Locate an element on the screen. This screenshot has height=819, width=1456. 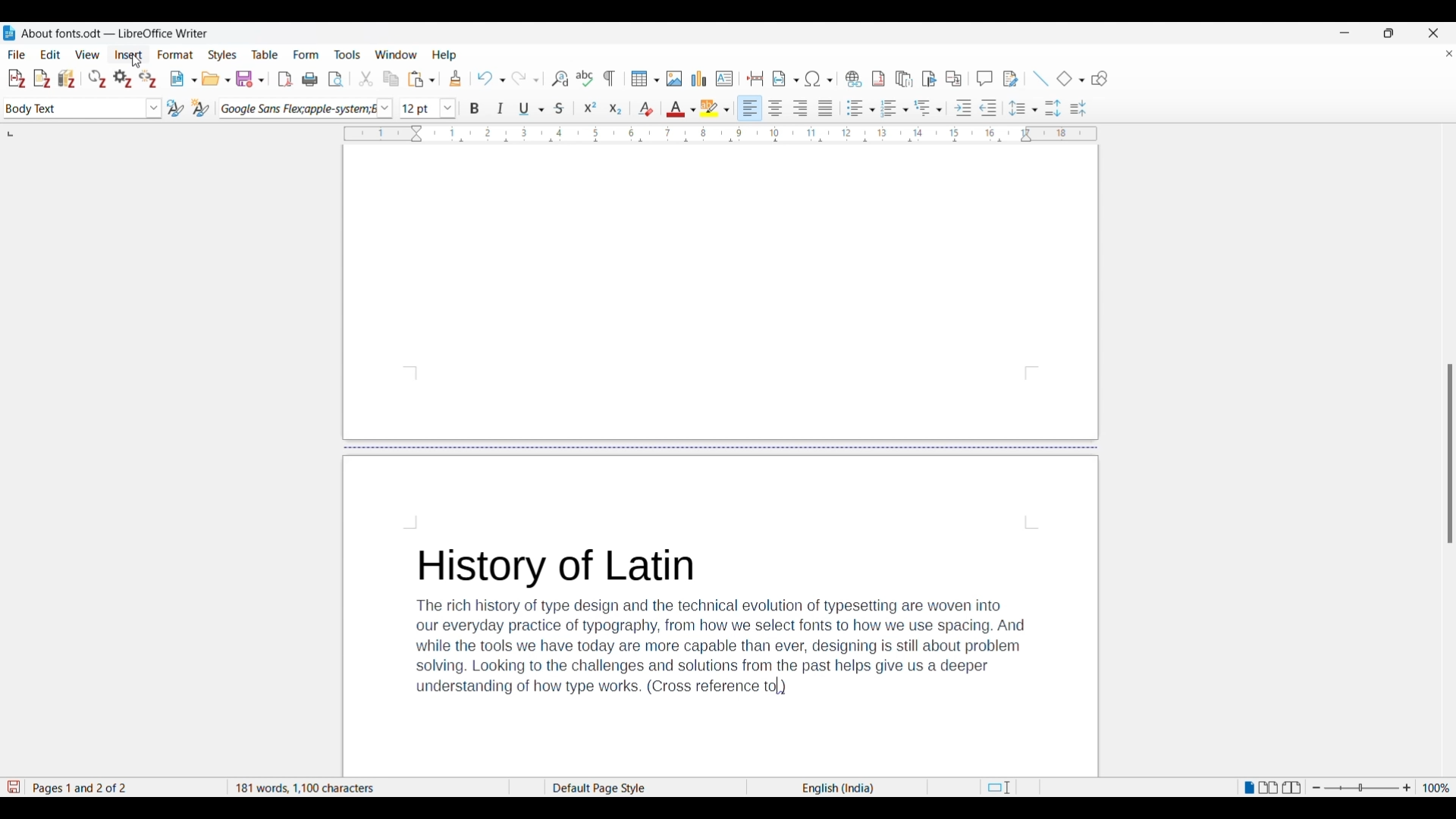
Insert menu is located at coordinates (129, 55).